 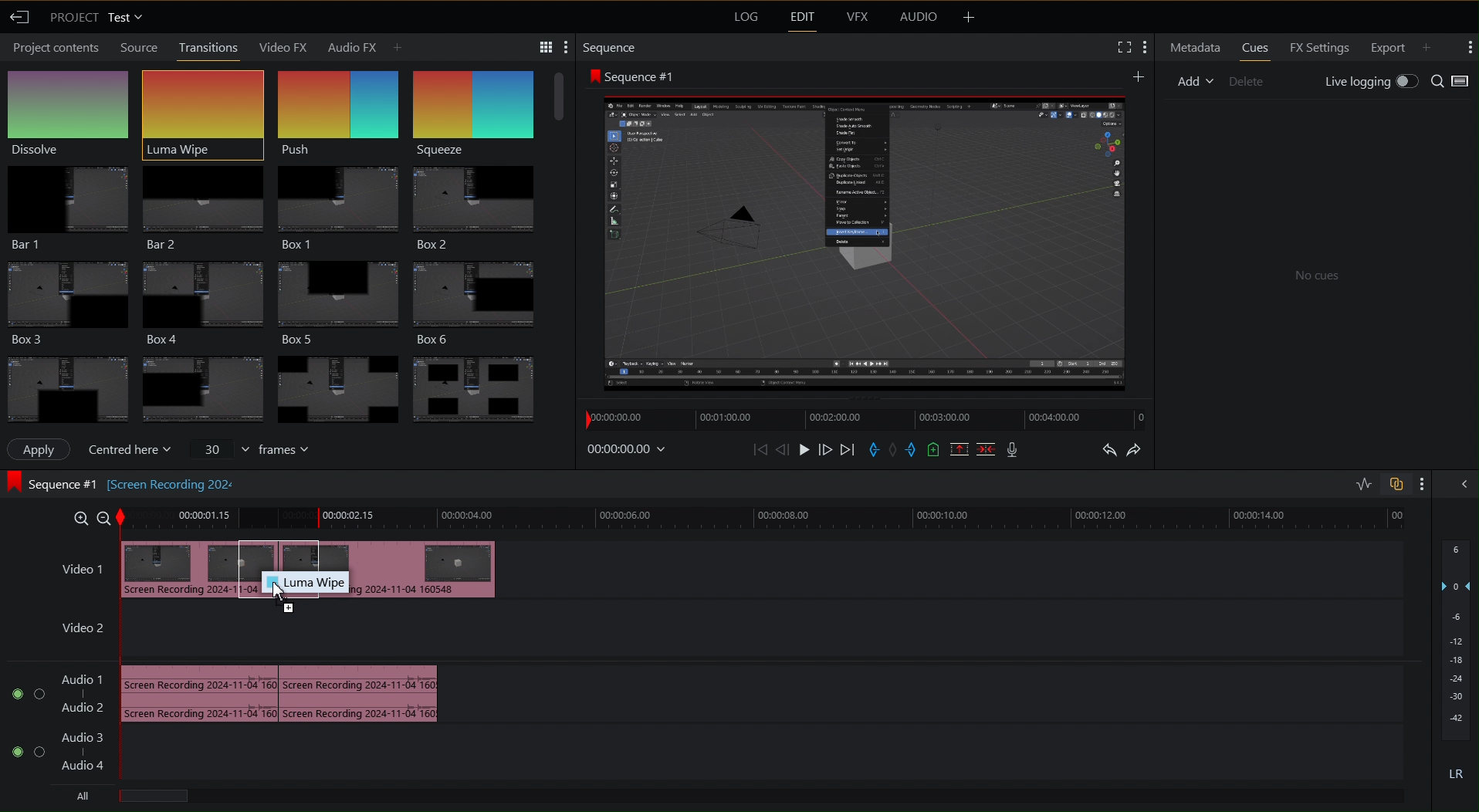 What do you see at coordinates (1139, 448) in the screenshot?
I see `Redo` at bounding box center [1139, 448].